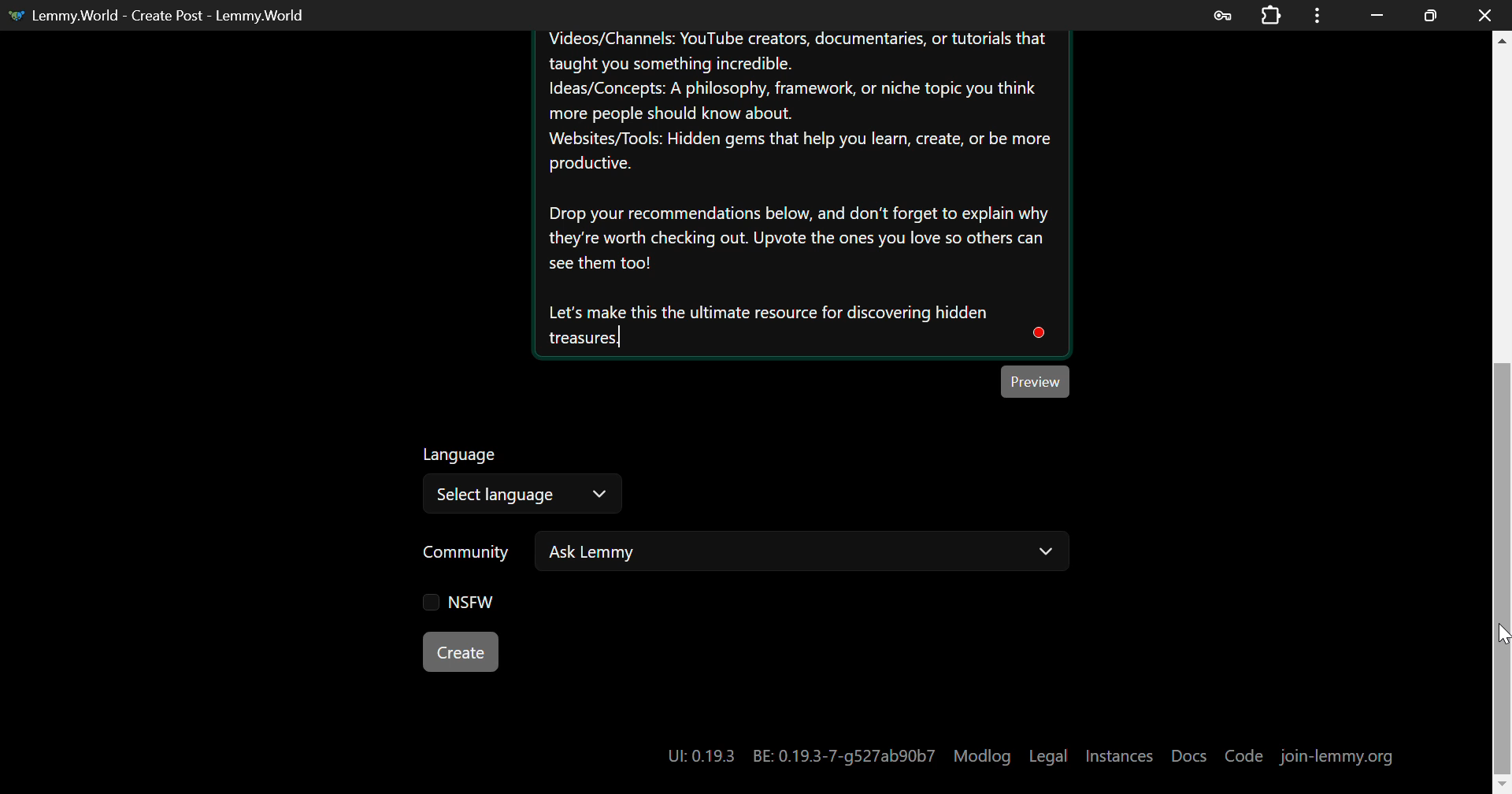 The height and width of the screenshot is (794, 1512). What do you see at coordinates (1119, 756) in the screenshot?
I see `Instances` at bounding box center [1119, 756].